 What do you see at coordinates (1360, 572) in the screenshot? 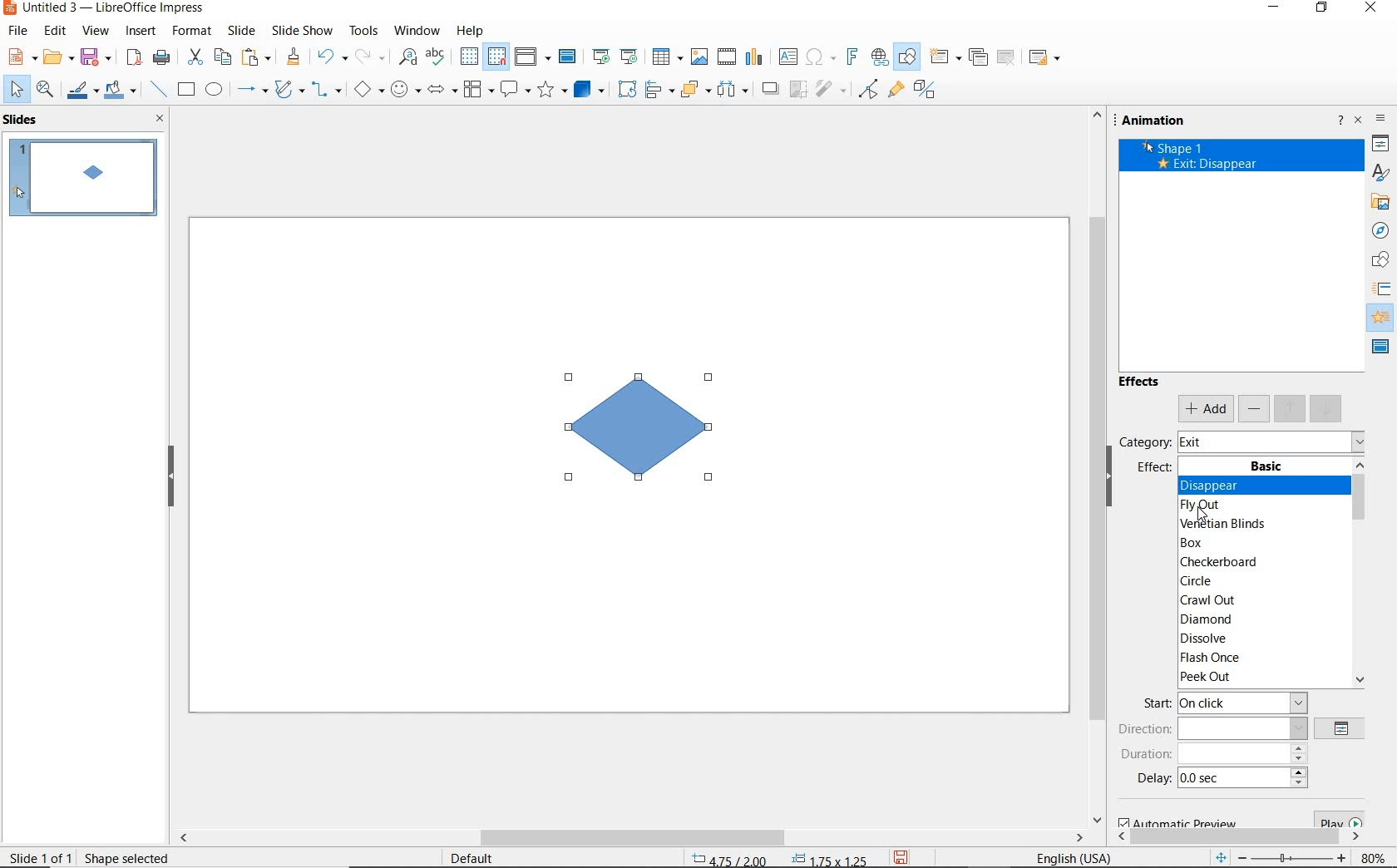
I see `scrollbar` at bounding box center [1360, 572].